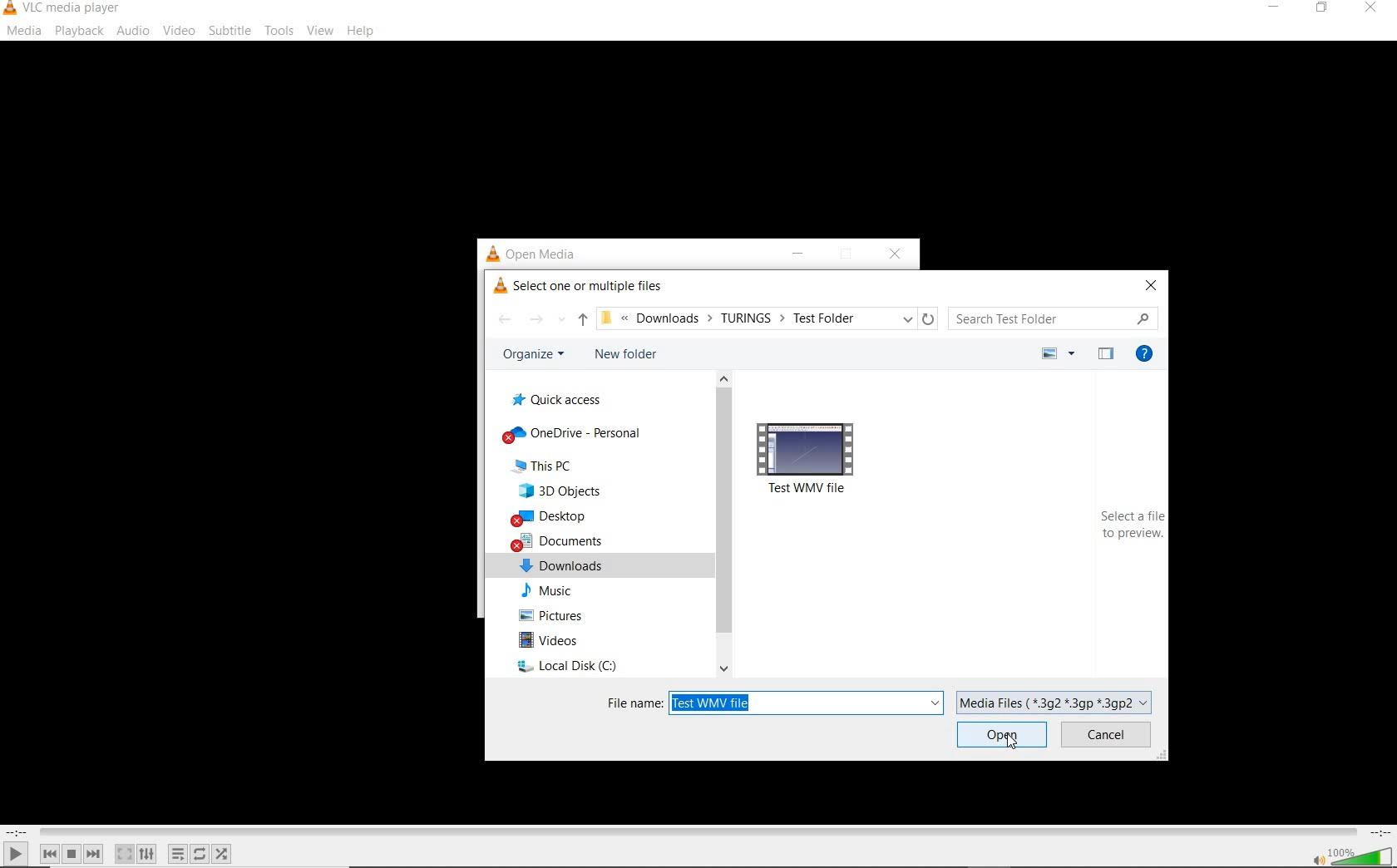 The width and height of the screenshot is (1397, 868). What do you see at coordinates (554, 398) in the screenshot?
I see `quick access` at bounding box center [554, 398].